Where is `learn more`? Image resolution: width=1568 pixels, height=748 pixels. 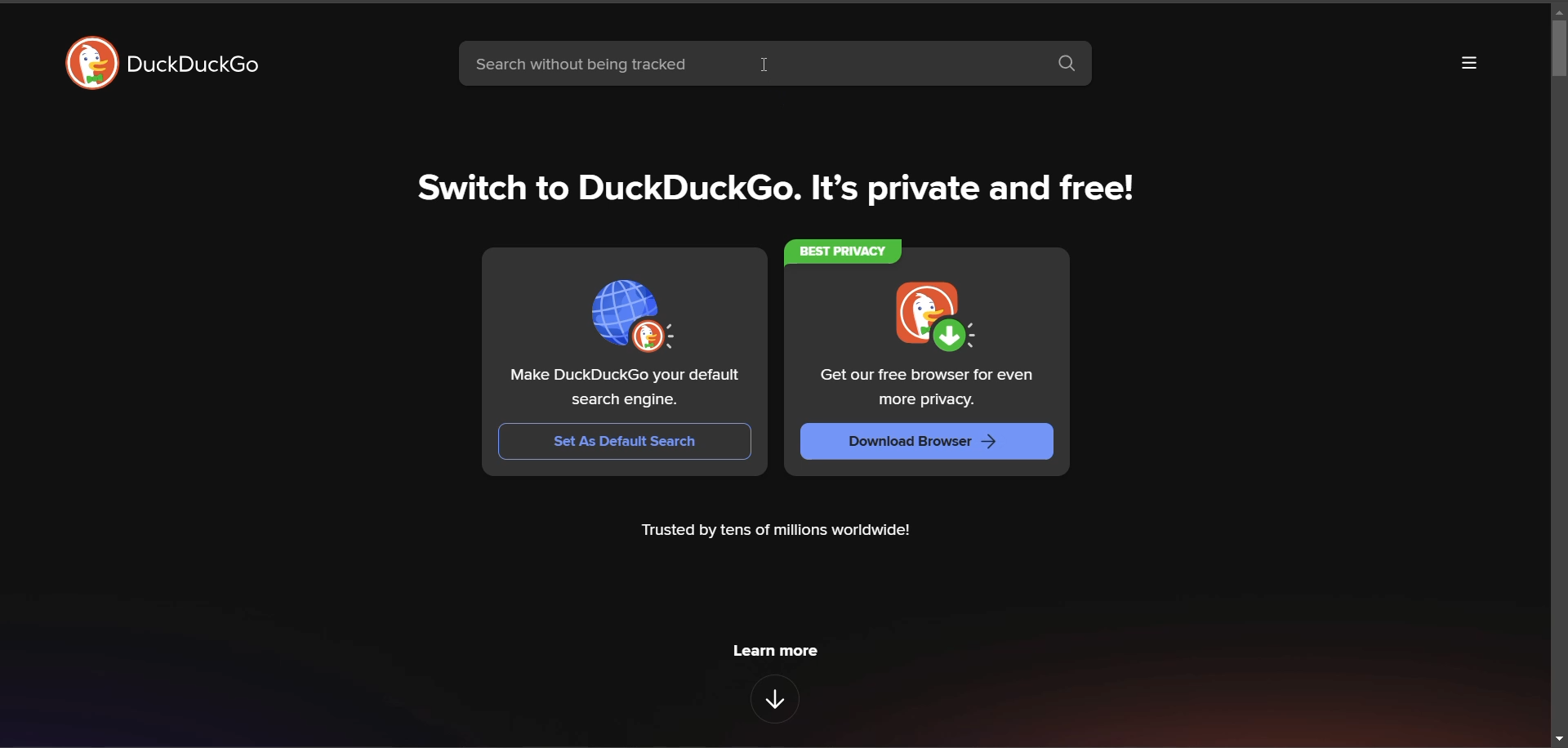 learn more is located at coordinates (776, 650).